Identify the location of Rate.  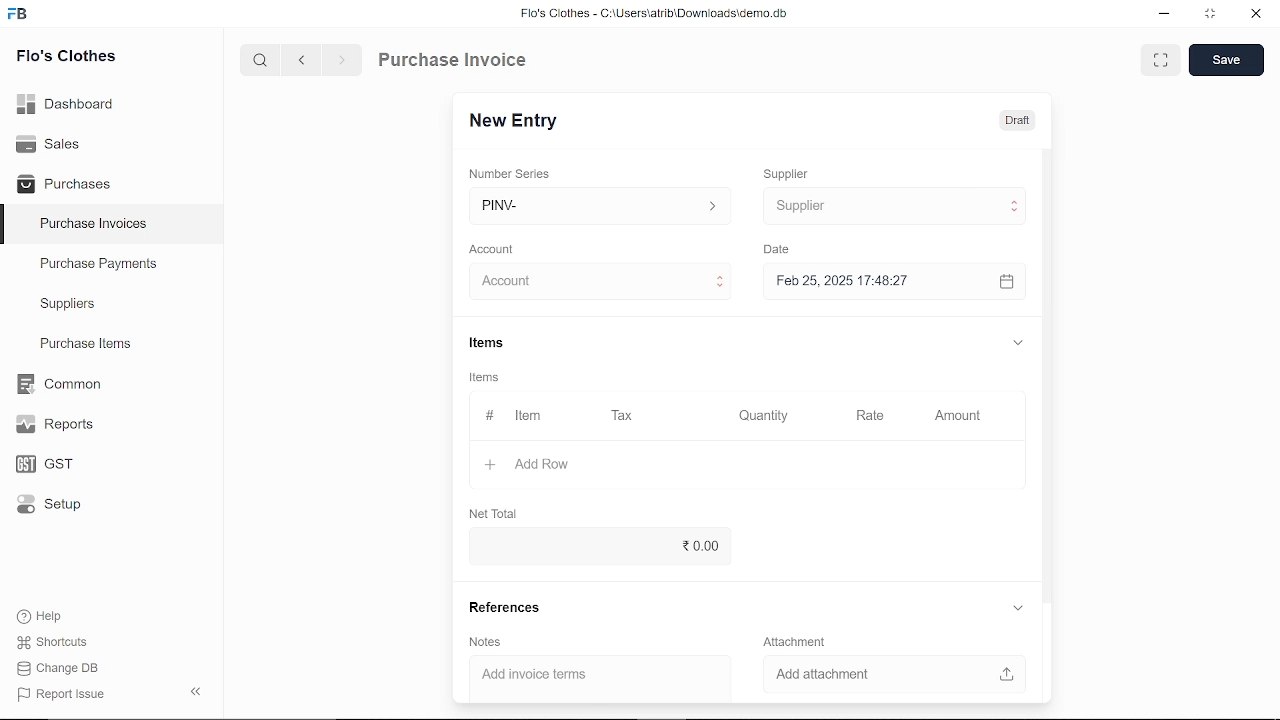
(869, 413).